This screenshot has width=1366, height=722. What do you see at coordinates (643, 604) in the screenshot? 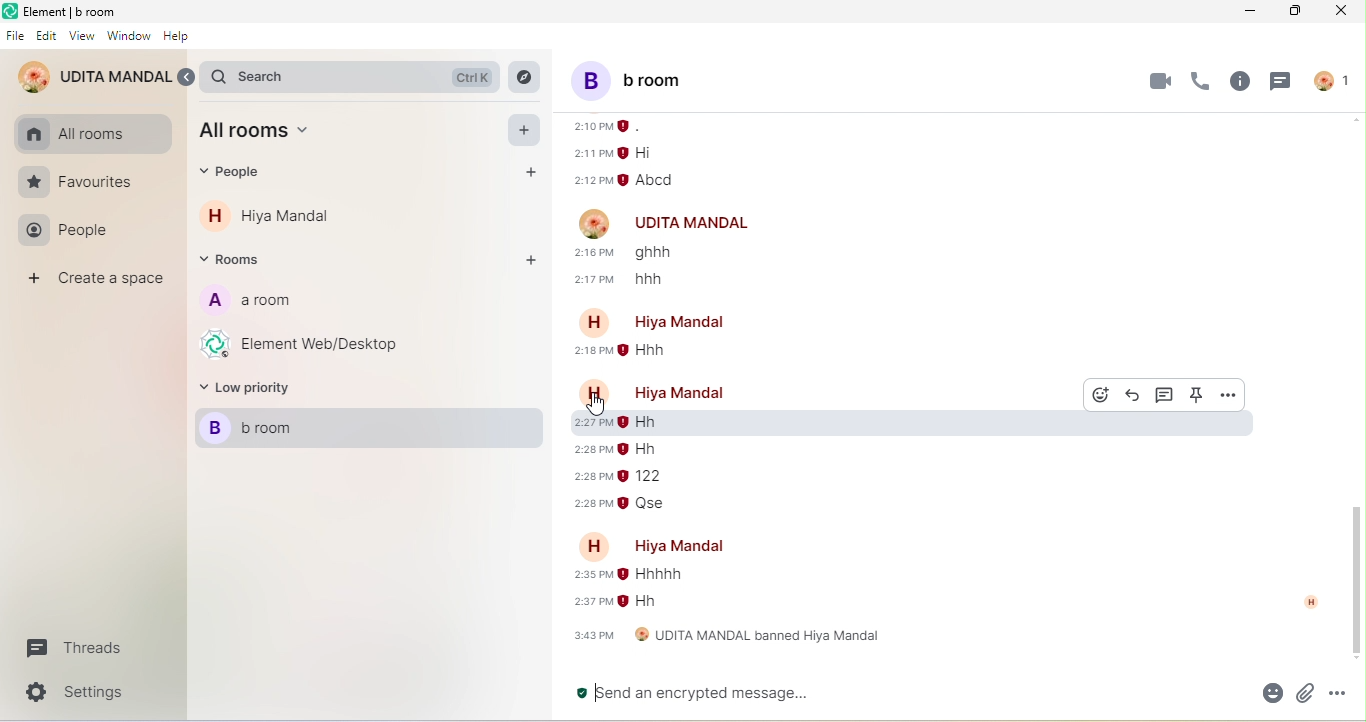
I see `hh-older message from hiya mandal` at bounding box center [643, 604].